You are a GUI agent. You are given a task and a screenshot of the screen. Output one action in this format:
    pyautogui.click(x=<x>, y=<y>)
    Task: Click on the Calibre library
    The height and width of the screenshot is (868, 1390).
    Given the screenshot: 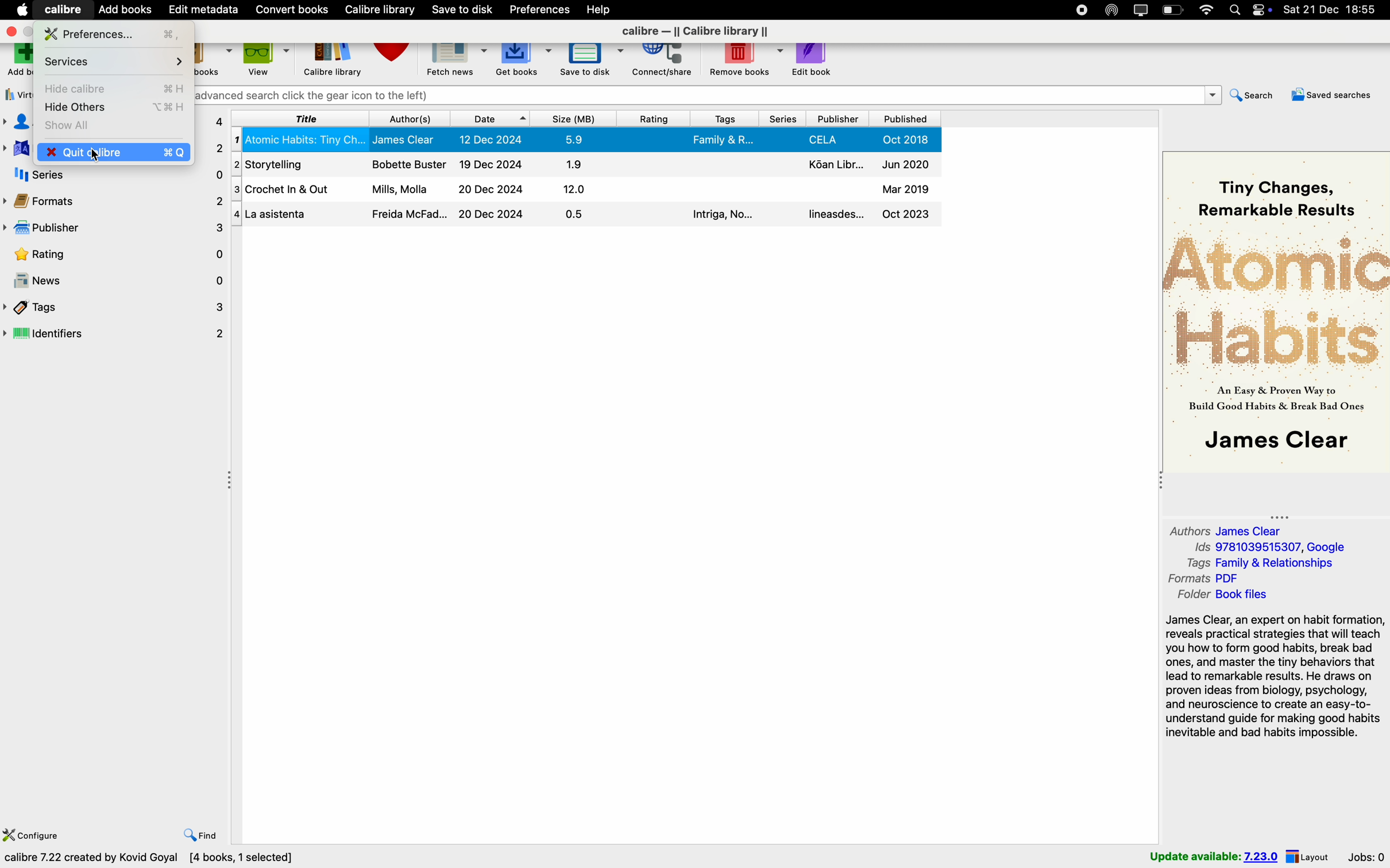 What is the action you would take?
    pyautogui.click(x=334, y=63)
    